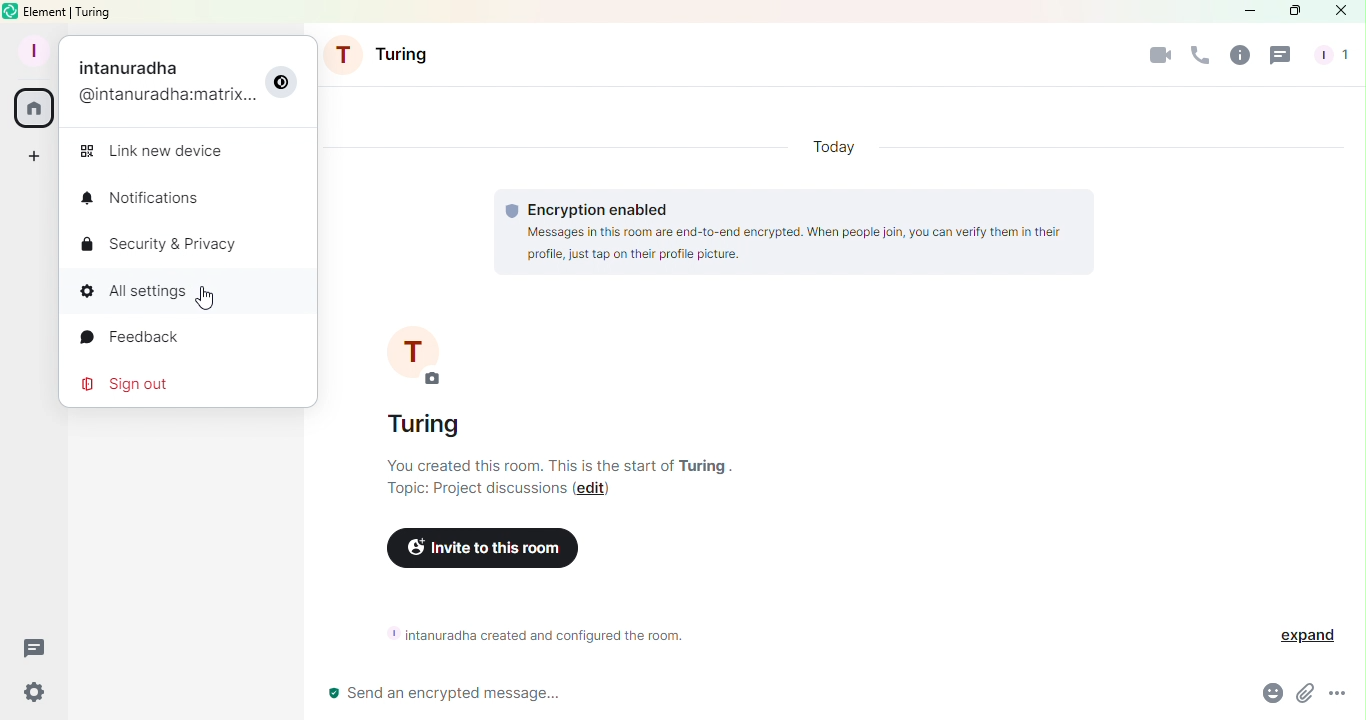  What do you see at coordinates (168, 245) in the screenshot?
I see `Security and Privacy` at bounding box center [168, 245].